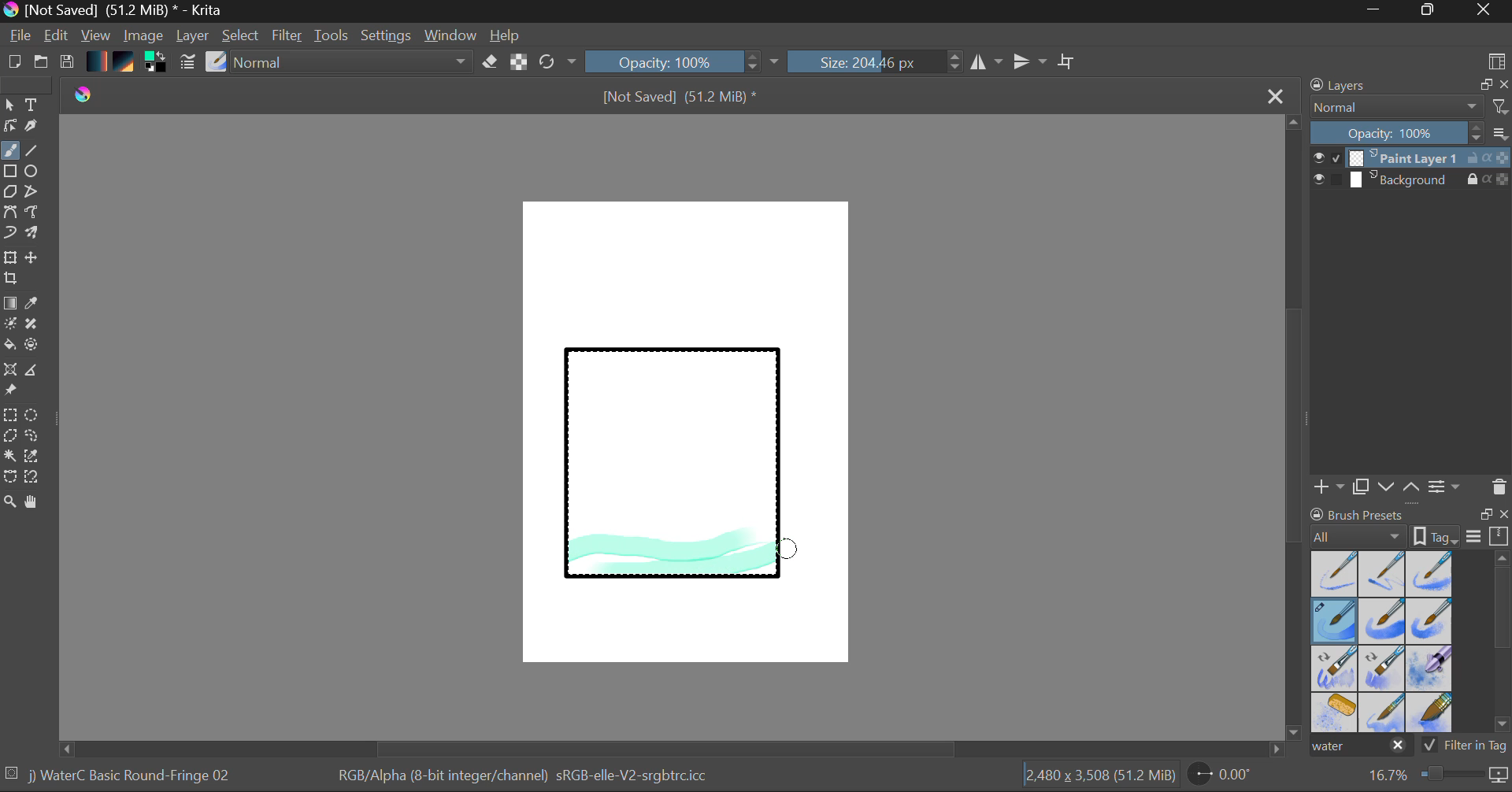 The image size is (1512, 792). What do you see at coordinates (9, 105) in the screenshot?
I see `Select` at bounding box center [9, 105].